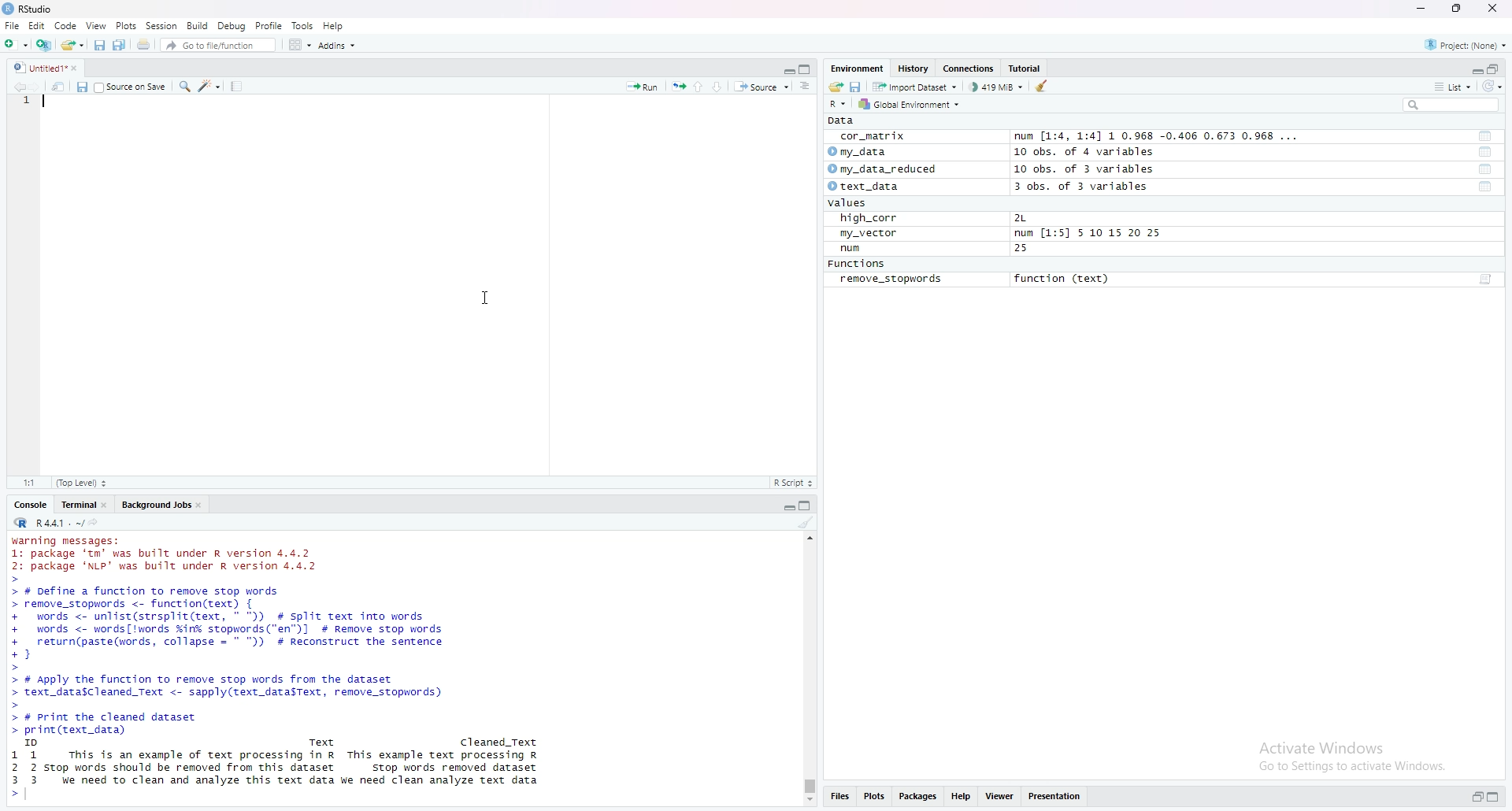 Image resolution: width=1512 pixels, height=811 pixels. What do you see at coordinates (1472, 798) in the screenshot?
I see `Restore Down` at bounding box center [1472, 798].